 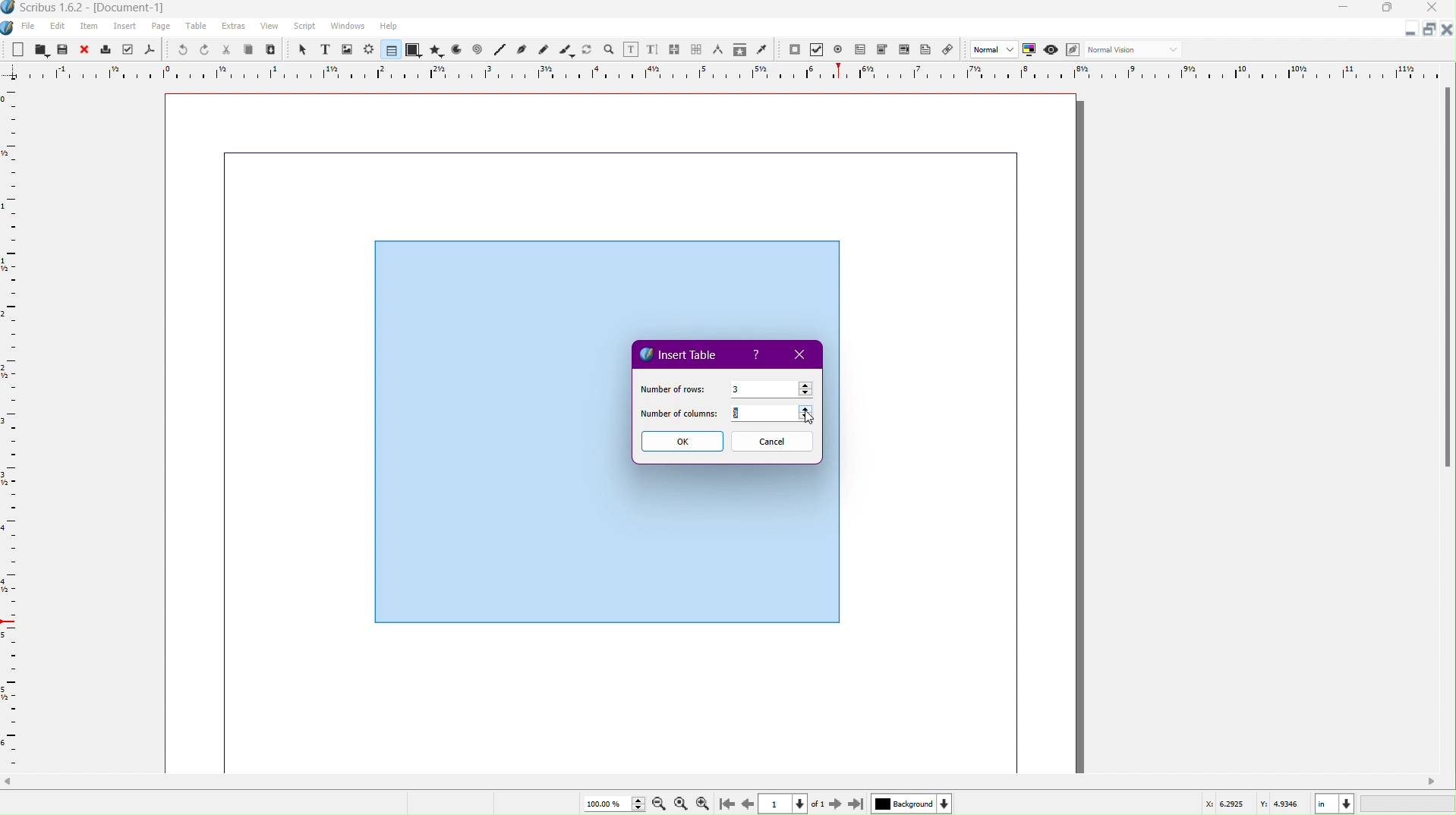 I want to click on Copy Item Properties, so click(x=739, y=50).